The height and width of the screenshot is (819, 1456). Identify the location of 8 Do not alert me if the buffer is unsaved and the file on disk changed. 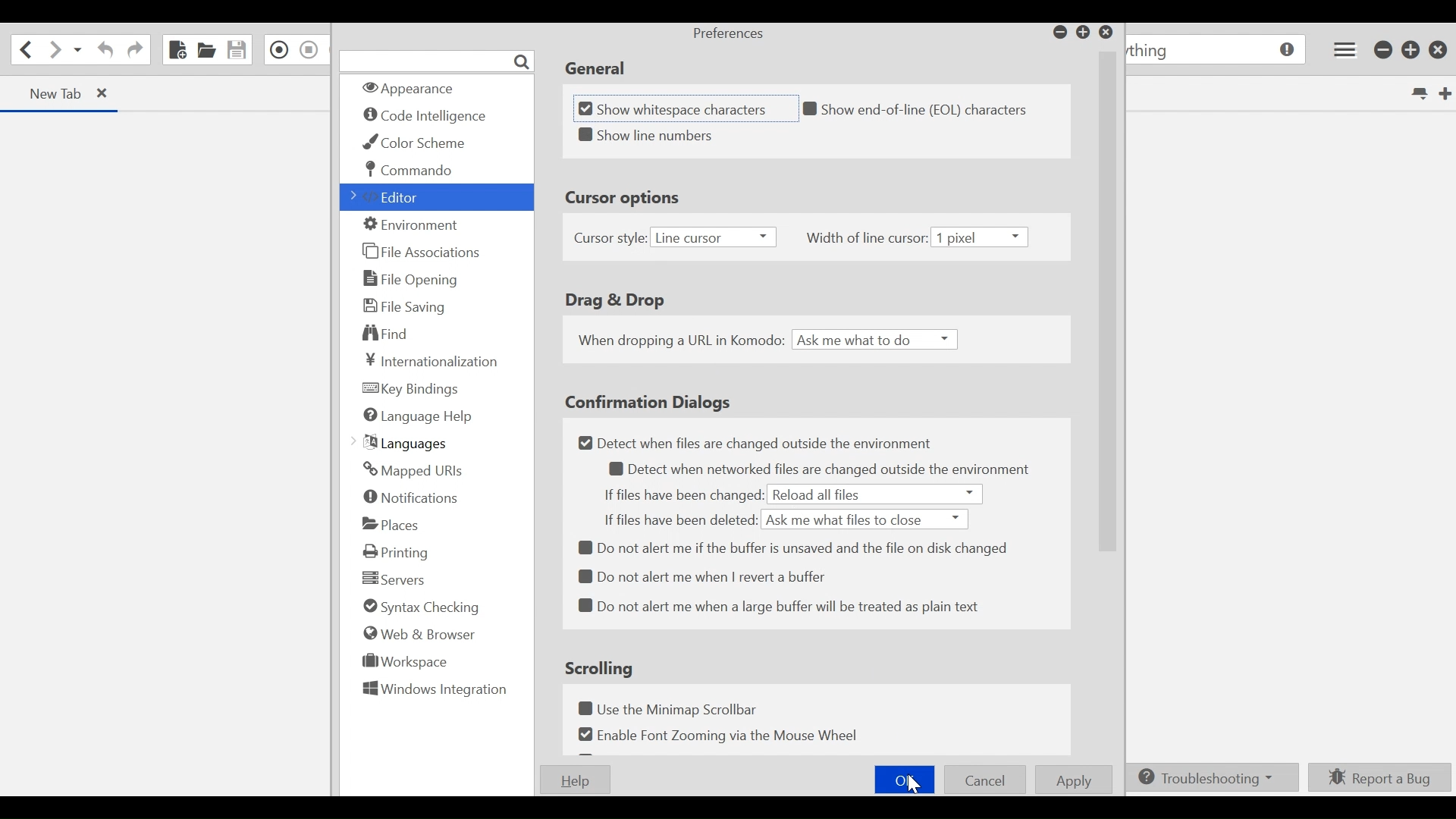
(795, 545).